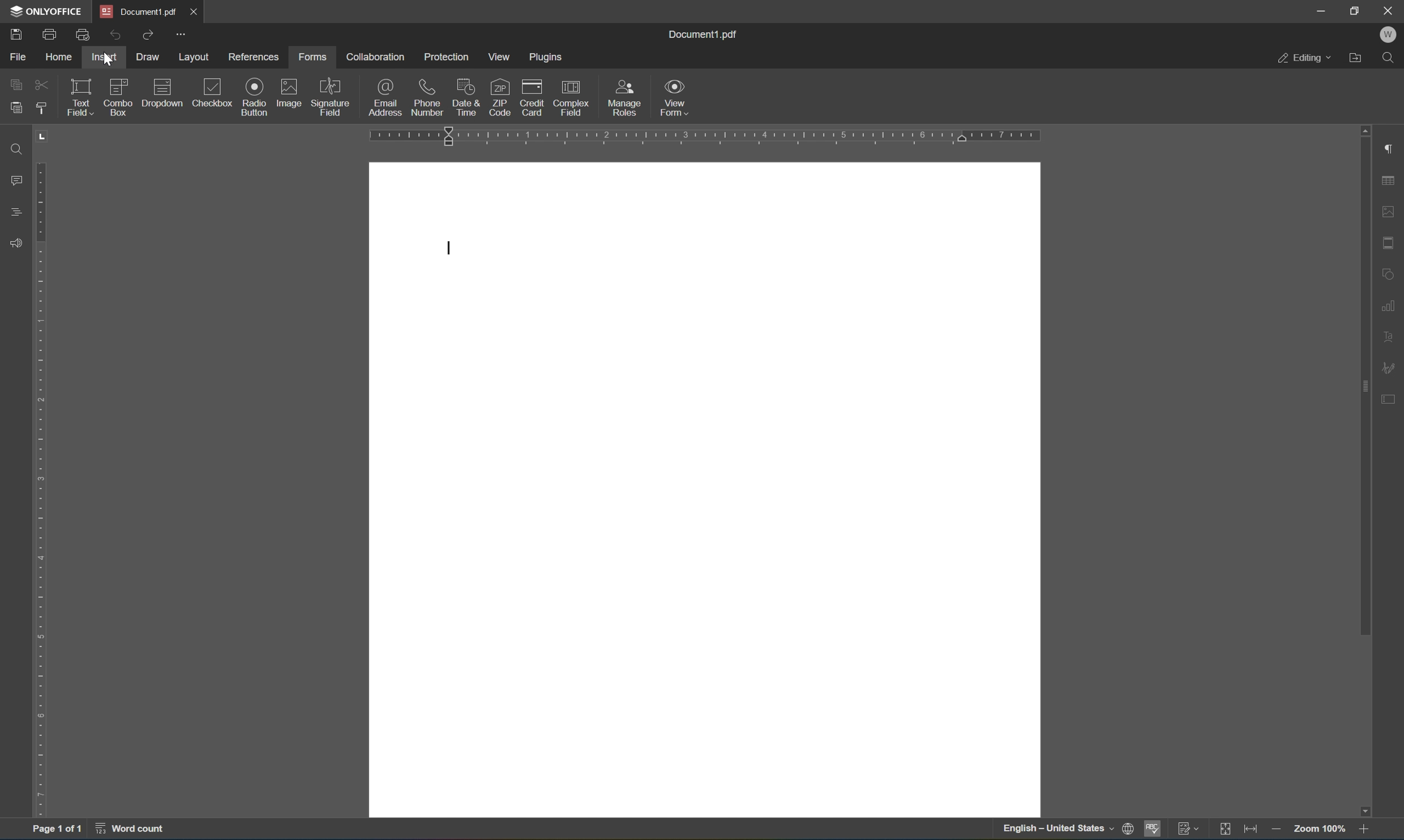 The height and width of the screenshot is (840, 1404). I want to click on Close, so click(195, 11).